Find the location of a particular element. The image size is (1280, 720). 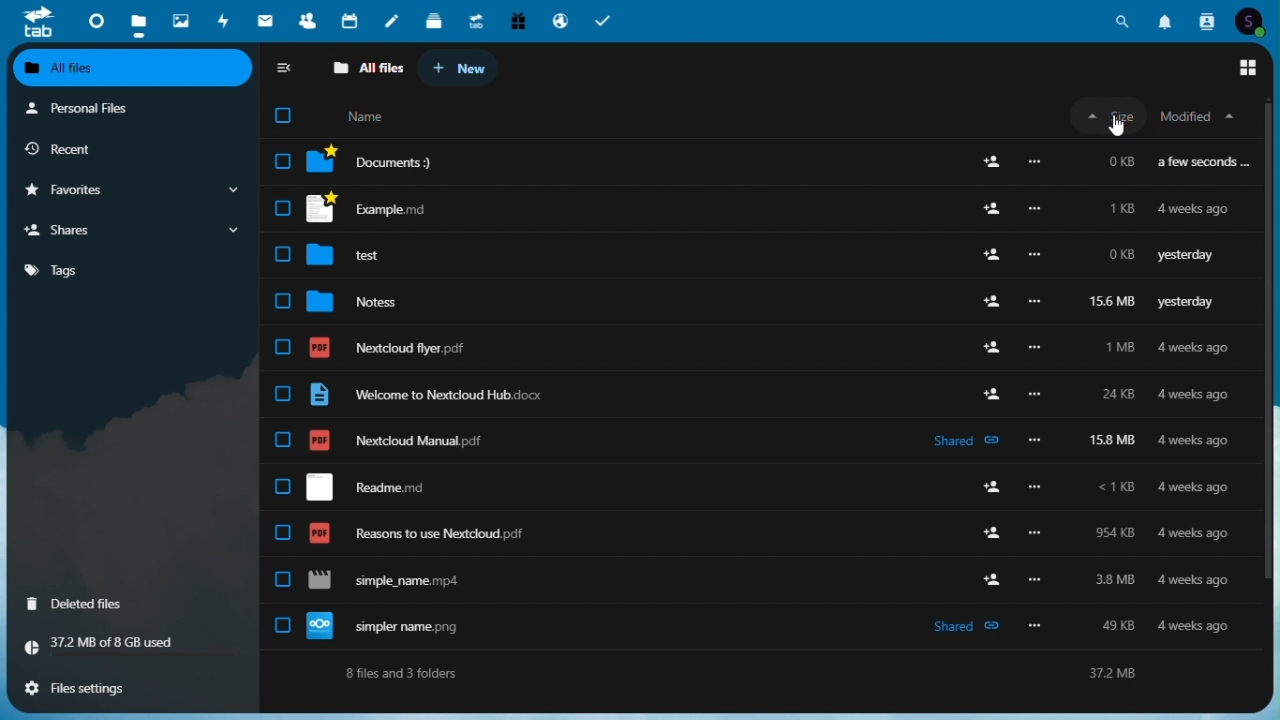

shares is located at coordinates (128, 231).